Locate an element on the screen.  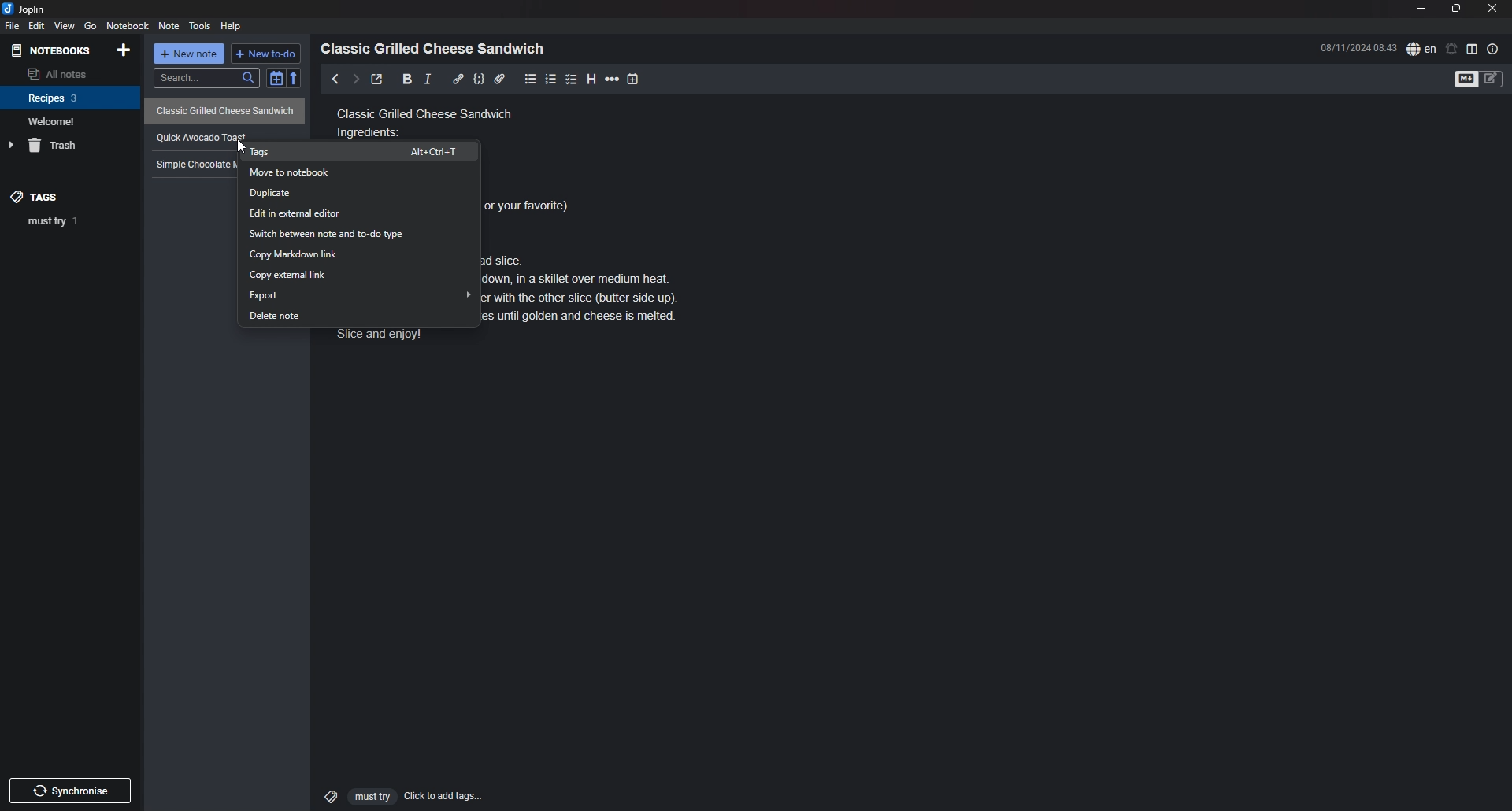
bullet list is located at coordinates (531, 79).